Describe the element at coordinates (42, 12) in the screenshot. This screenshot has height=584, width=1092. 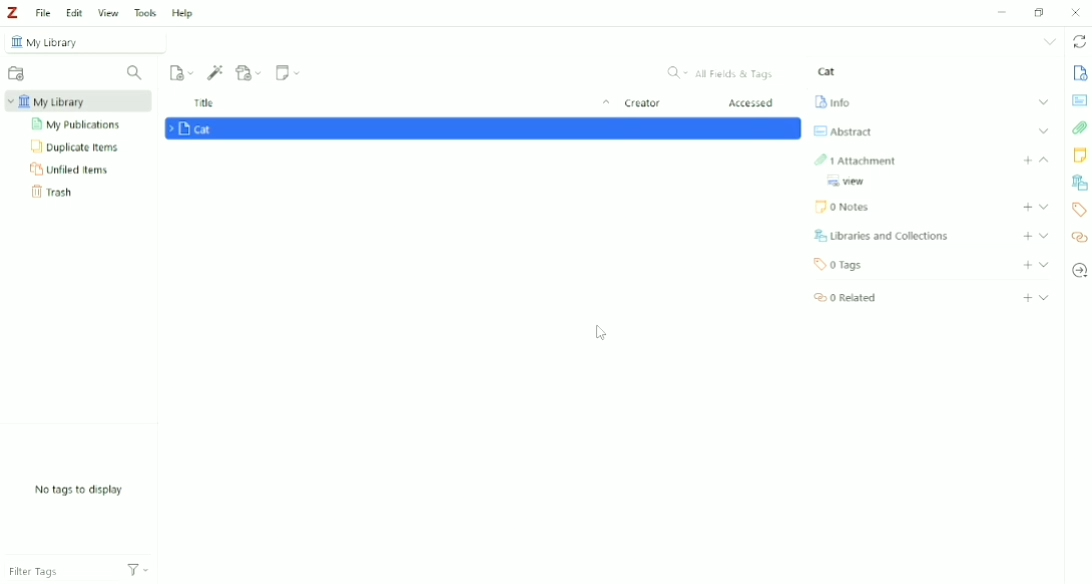
I see `File` at that location.